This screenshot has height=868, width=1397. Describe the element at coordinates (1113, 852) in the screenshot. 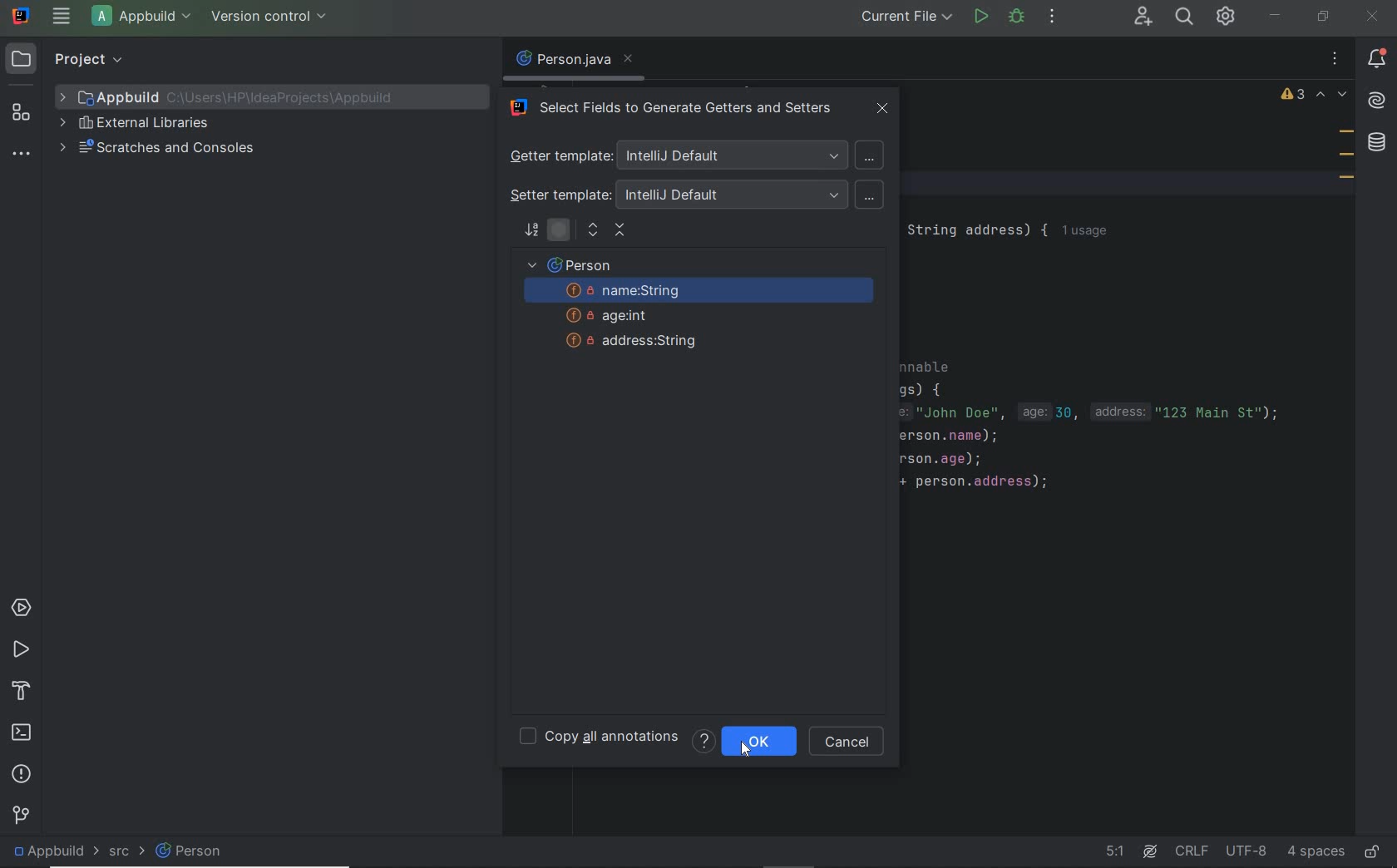

I see `go to line` at that location.